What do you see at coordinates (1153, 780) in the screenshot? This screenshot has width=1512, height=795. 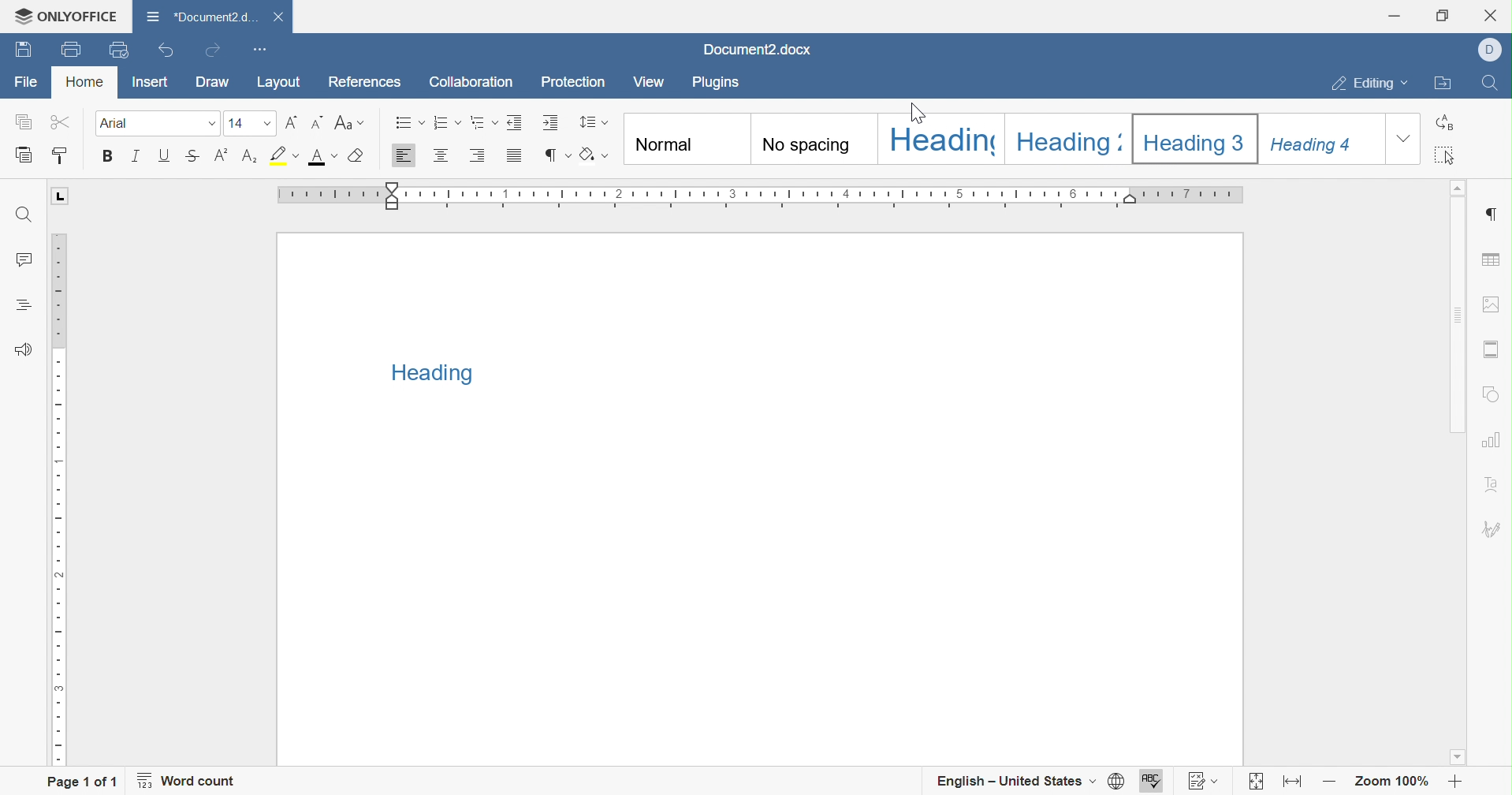 I see `Check Spelling` at bounding box center [1153, 780].